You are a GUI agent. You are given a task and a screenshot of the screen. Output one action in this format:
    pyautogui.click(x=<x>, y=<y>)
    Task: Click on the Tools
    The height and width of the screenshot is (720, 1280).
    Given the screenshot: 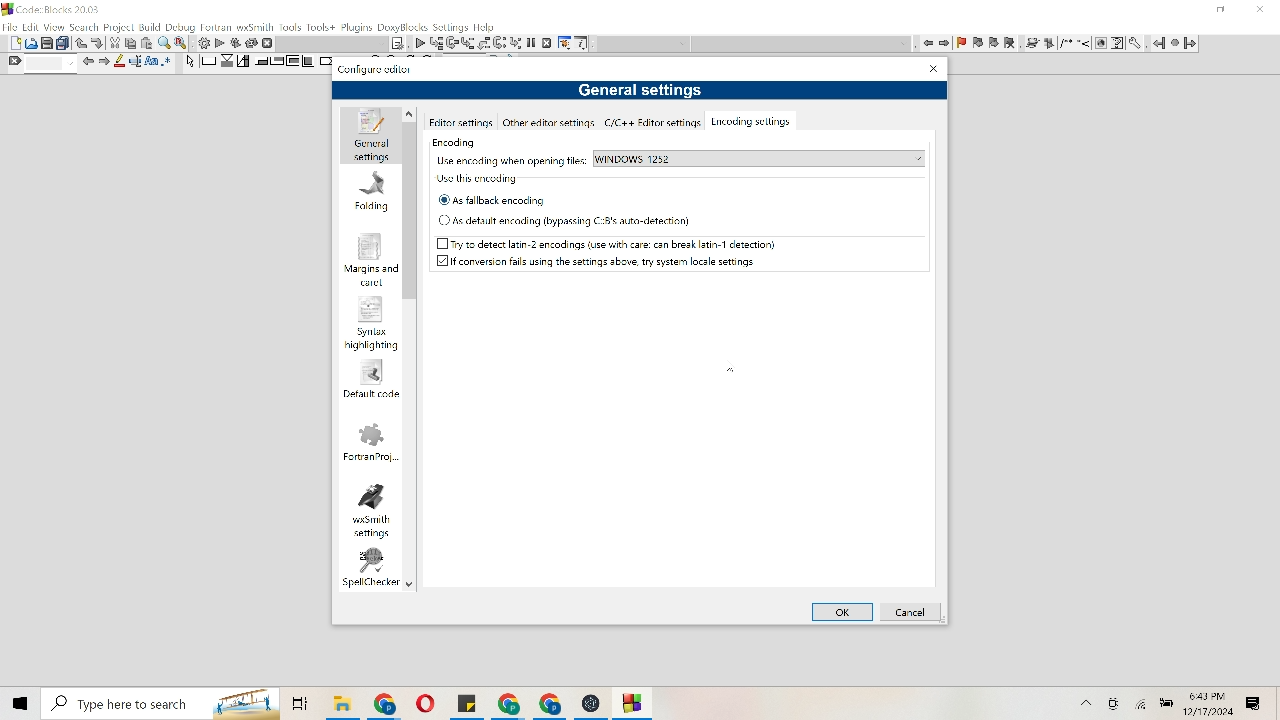 What is the action you would take?
    pyautogui.click(x=564, y=43)
    